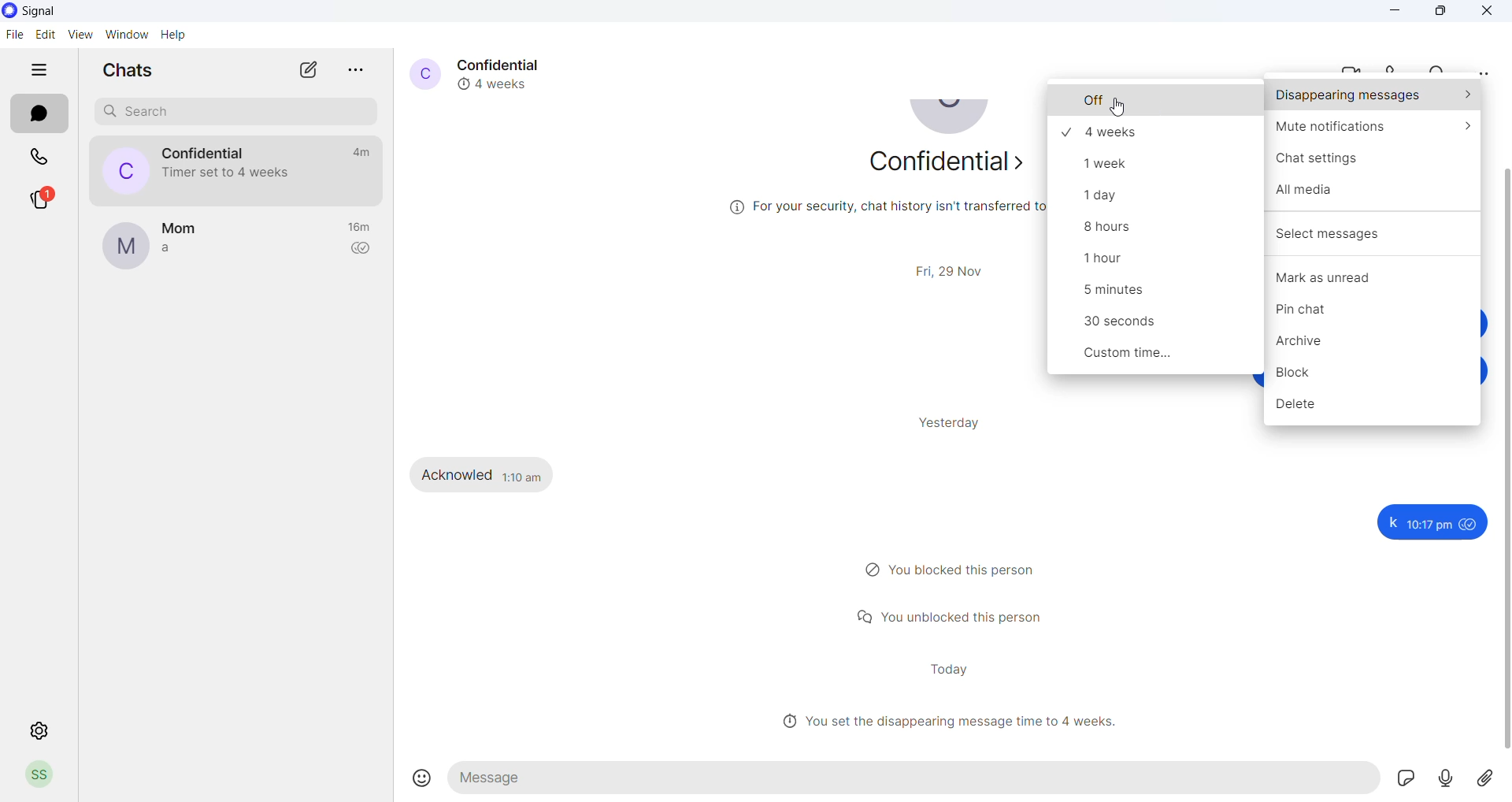 The height and width of the screenshot is (802, 1512). Describe the element at coordinates (46, 776) in the screenshot. I see `profile` at that location.